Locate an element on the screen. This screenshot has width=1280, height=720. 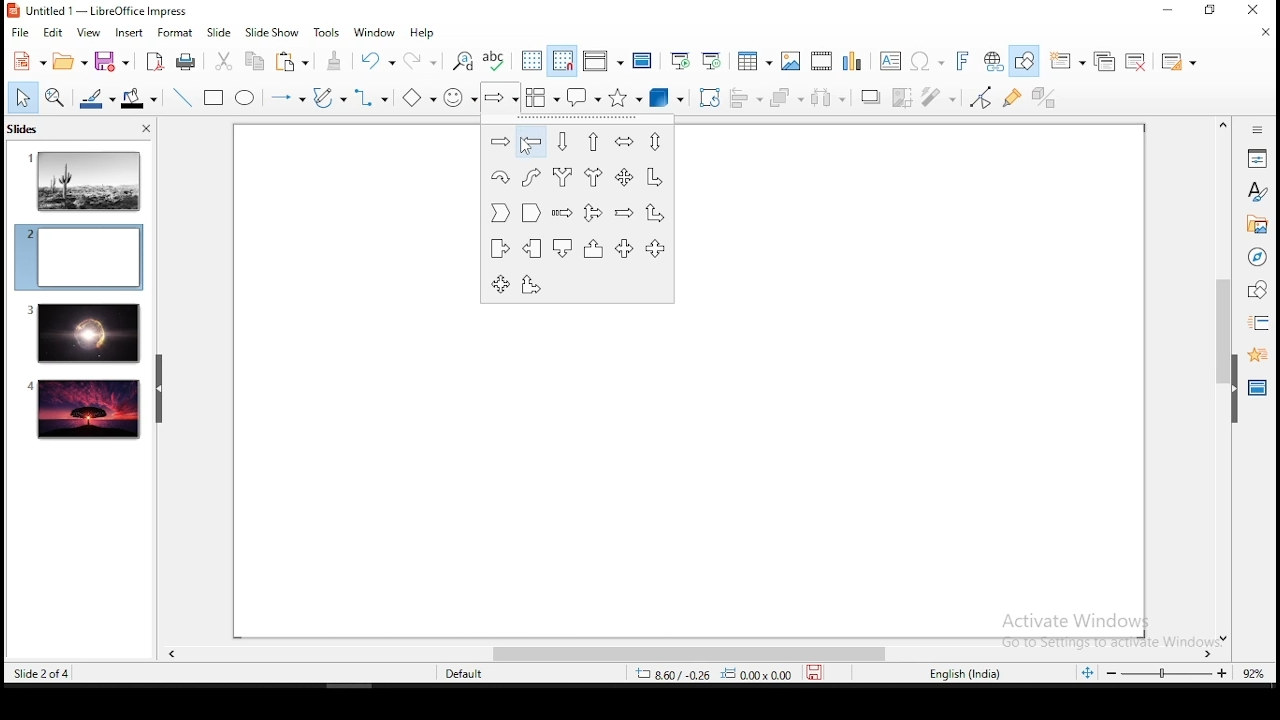
undo is located at coordinates (379, 61).